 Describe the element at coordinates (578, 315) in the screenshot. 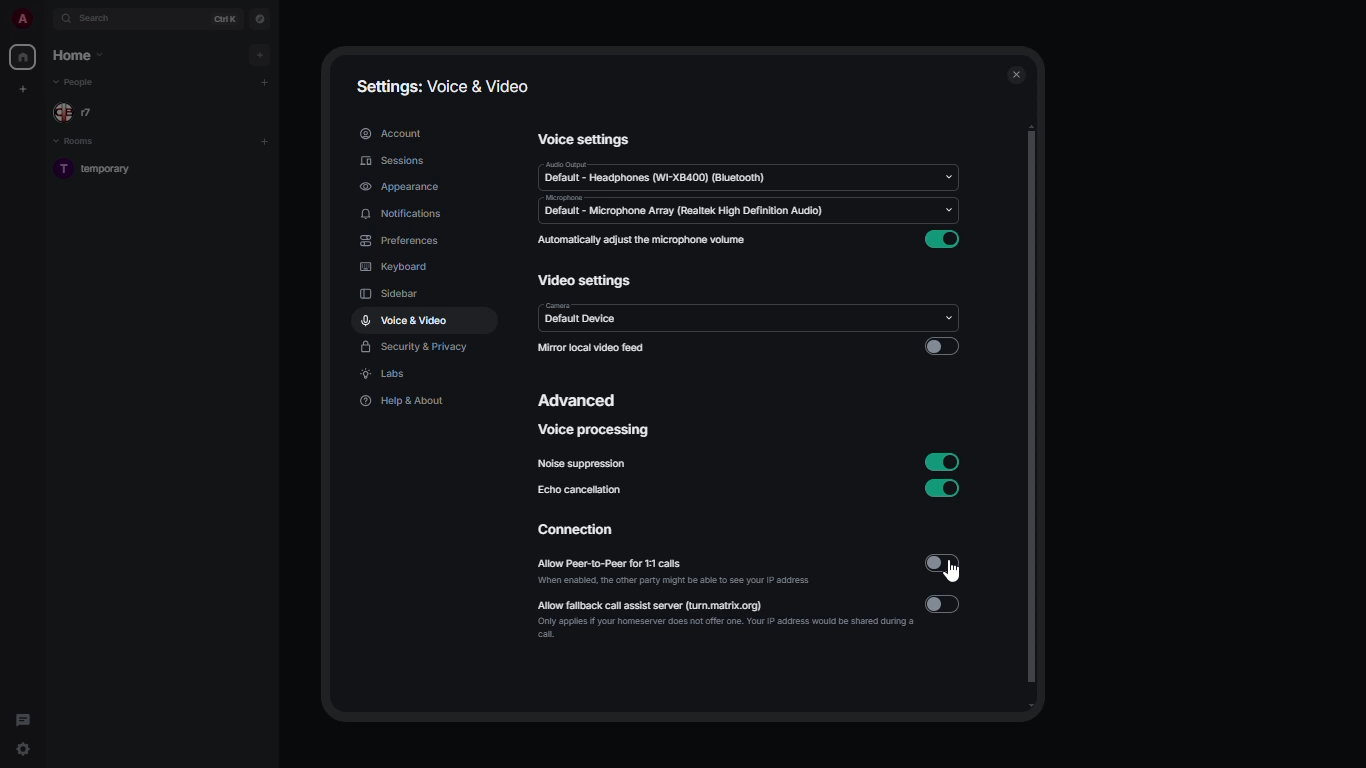

I see `camera default` at that location.